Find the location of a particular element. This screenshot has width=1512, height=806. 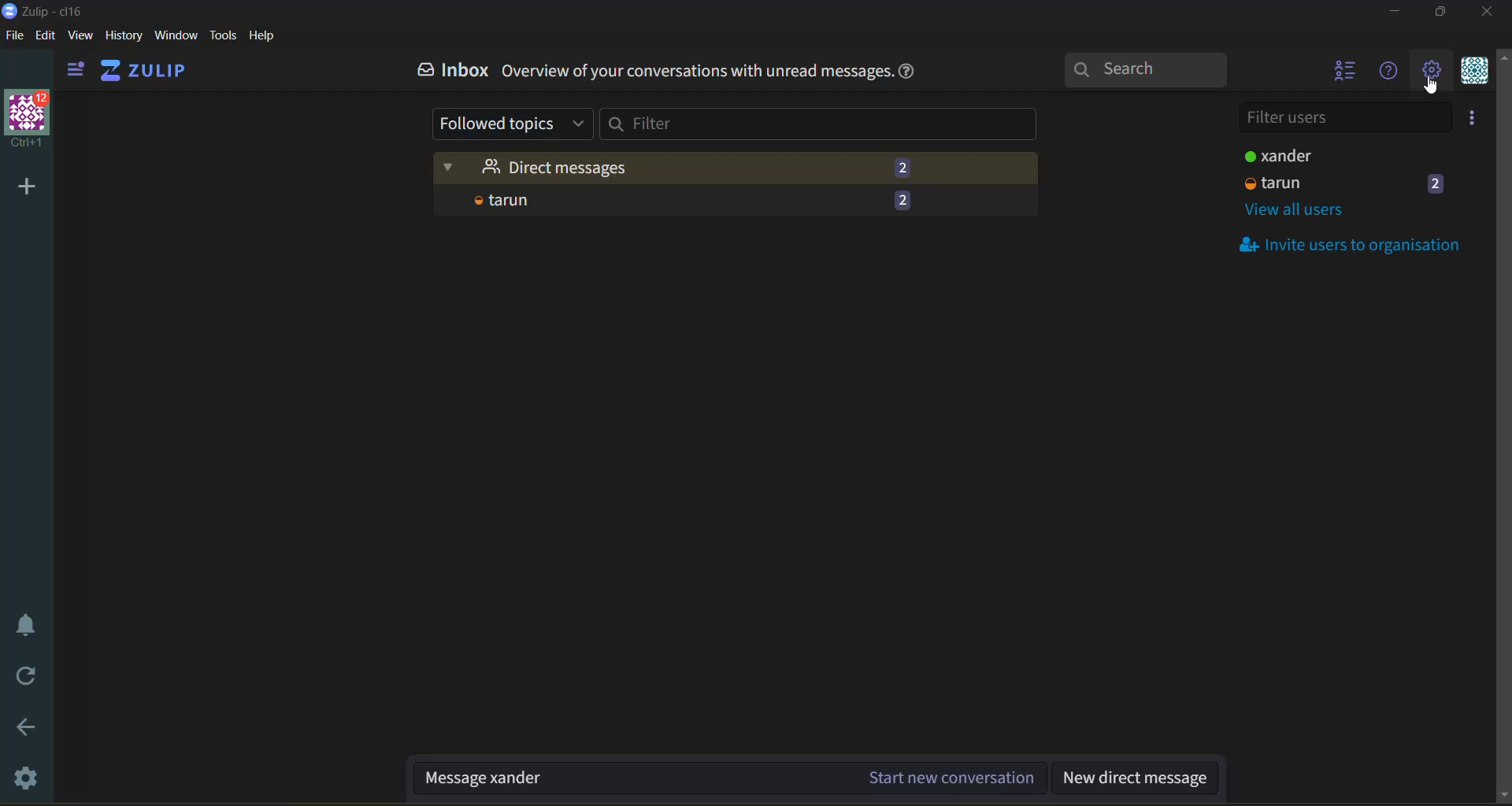

add organisation is located at coordinates (20, 183).